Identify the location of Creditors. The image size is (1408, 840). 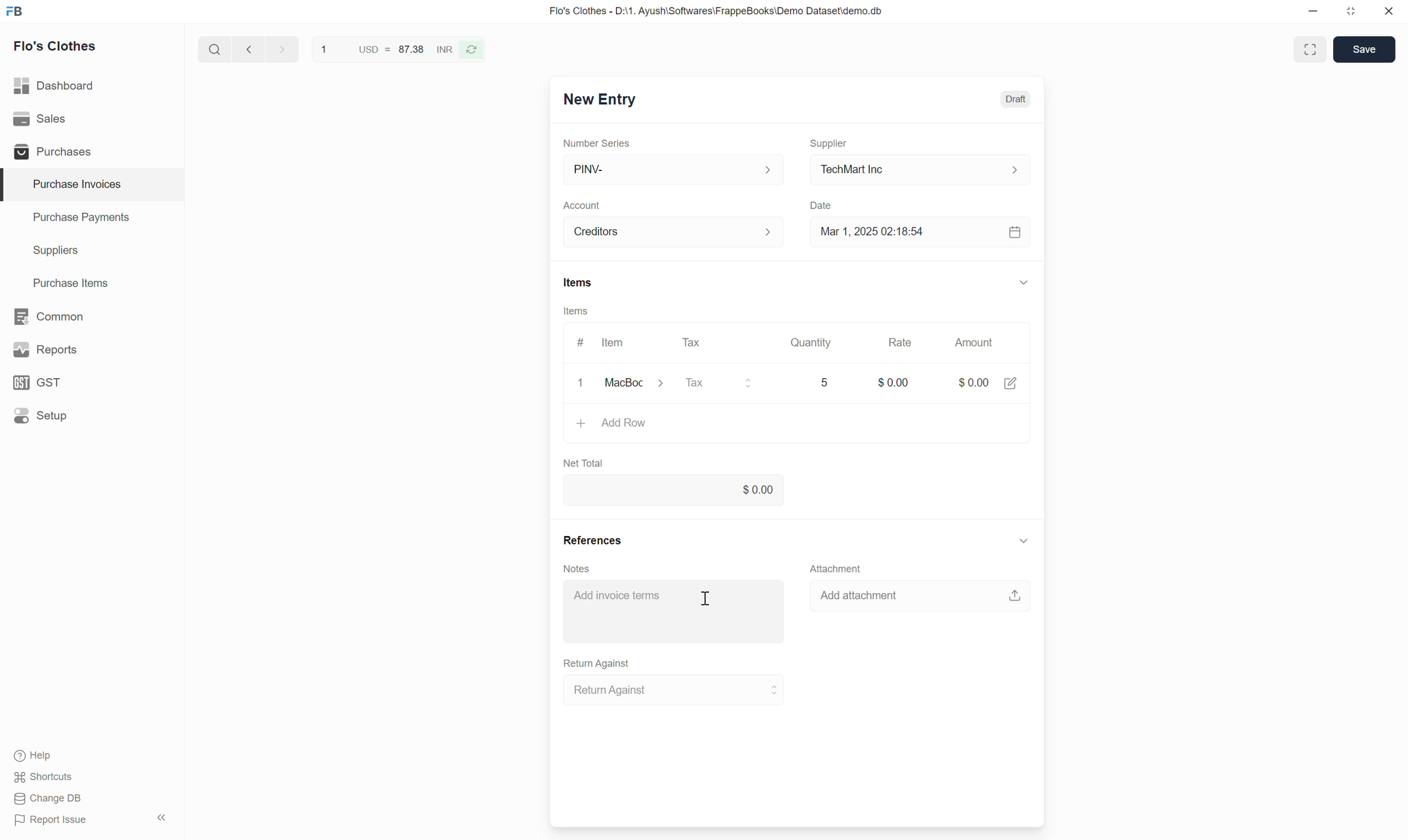
(675, 232).